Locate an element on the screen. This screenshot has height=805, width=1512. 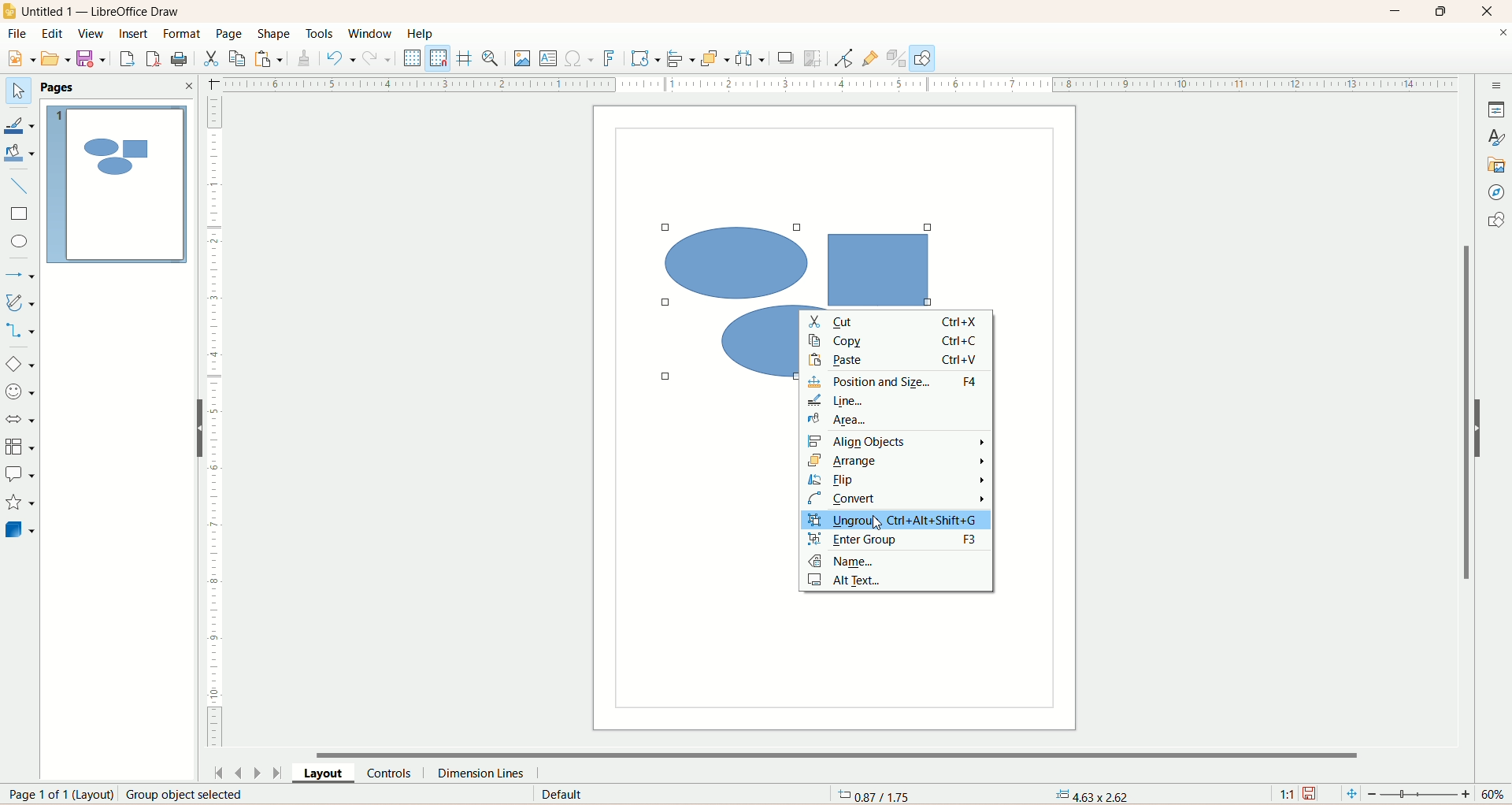
print is located at coordinates (180, 59).